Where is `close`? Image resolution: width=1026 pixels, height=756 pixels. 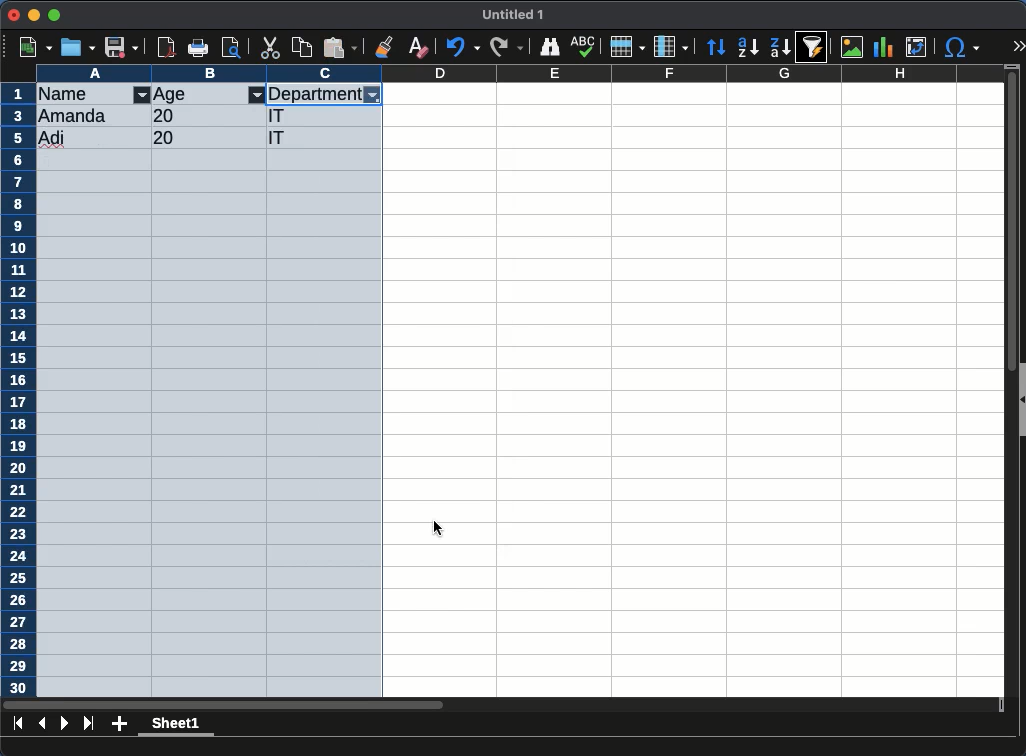
close is located at coordinates (14, 16).